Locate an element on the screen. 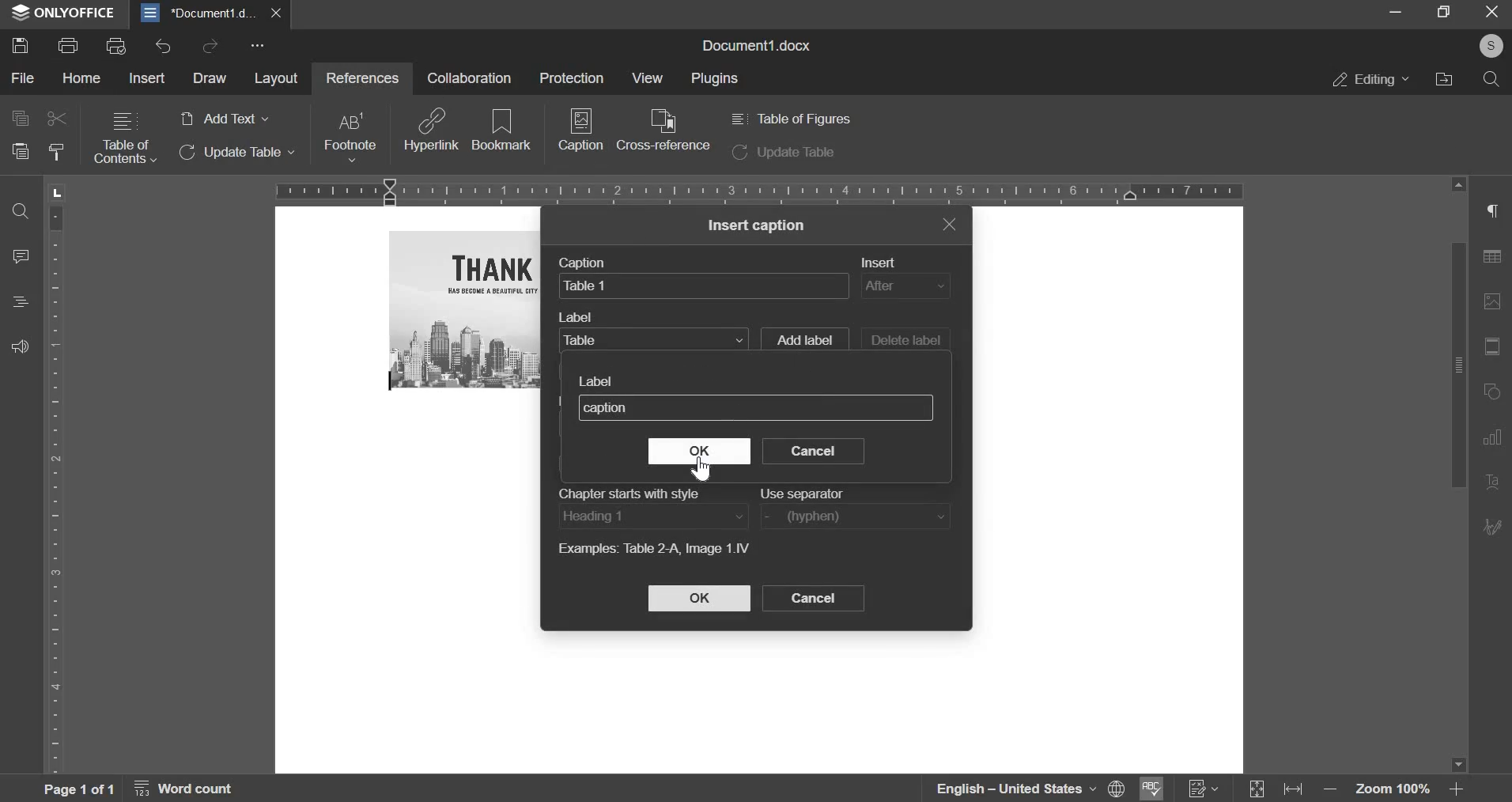 The image size is (1512, 802). file location is located at coordinates (1443, 78).